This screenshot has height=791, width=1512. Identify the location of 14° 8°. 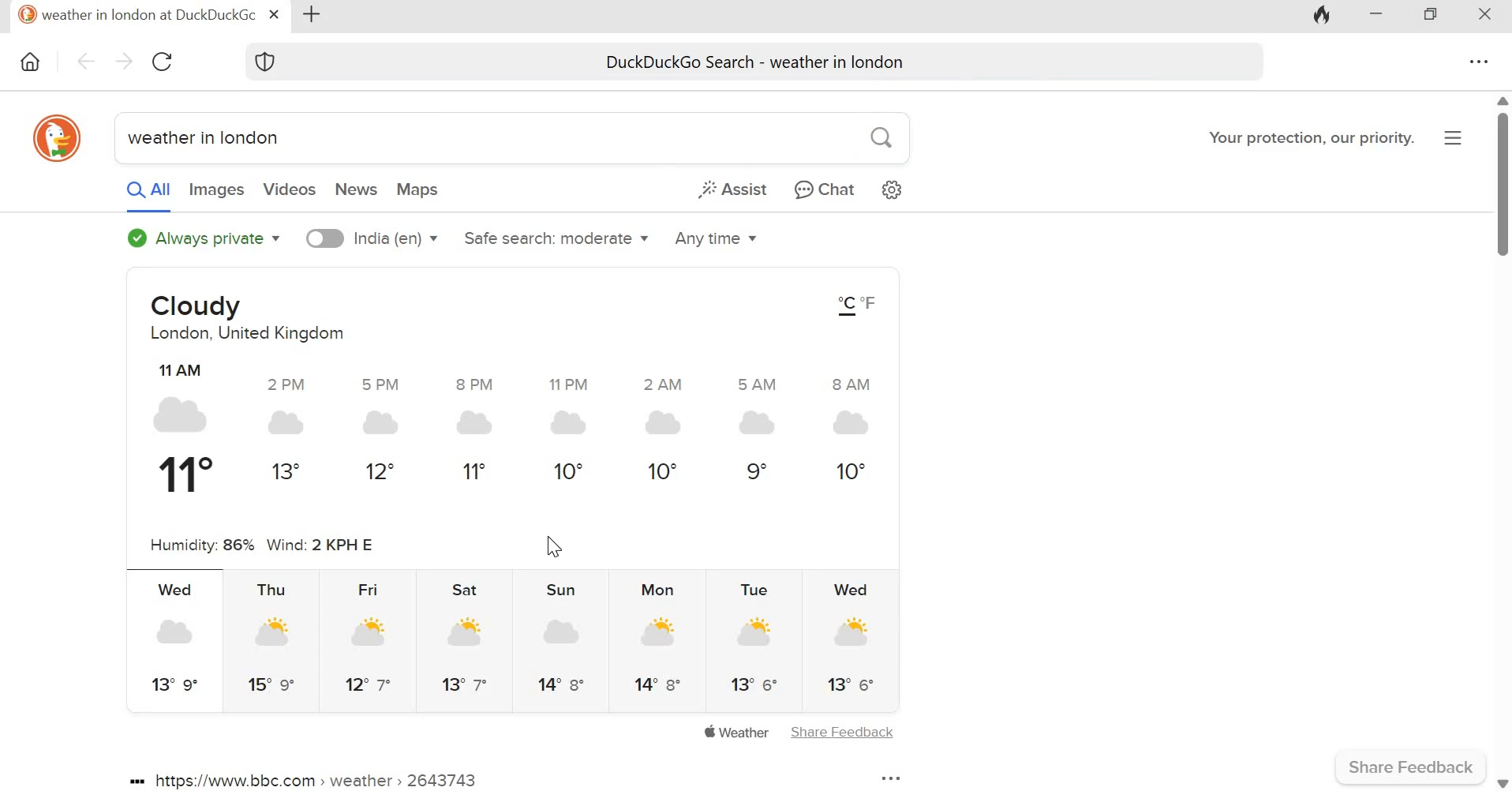
(657, 684).